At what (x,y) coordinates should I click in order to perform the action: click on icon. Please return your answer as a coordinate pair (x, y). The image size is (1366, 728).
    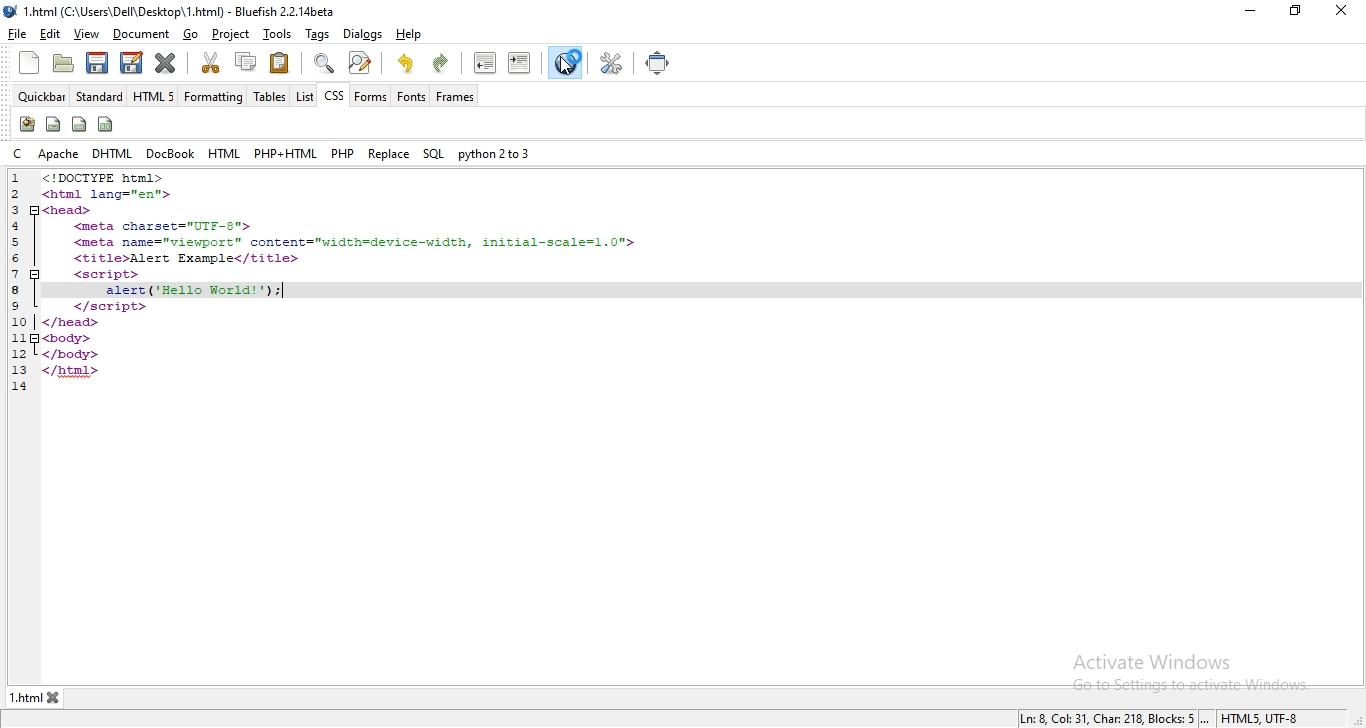
    Looking at the image, I should click on (108, 123).